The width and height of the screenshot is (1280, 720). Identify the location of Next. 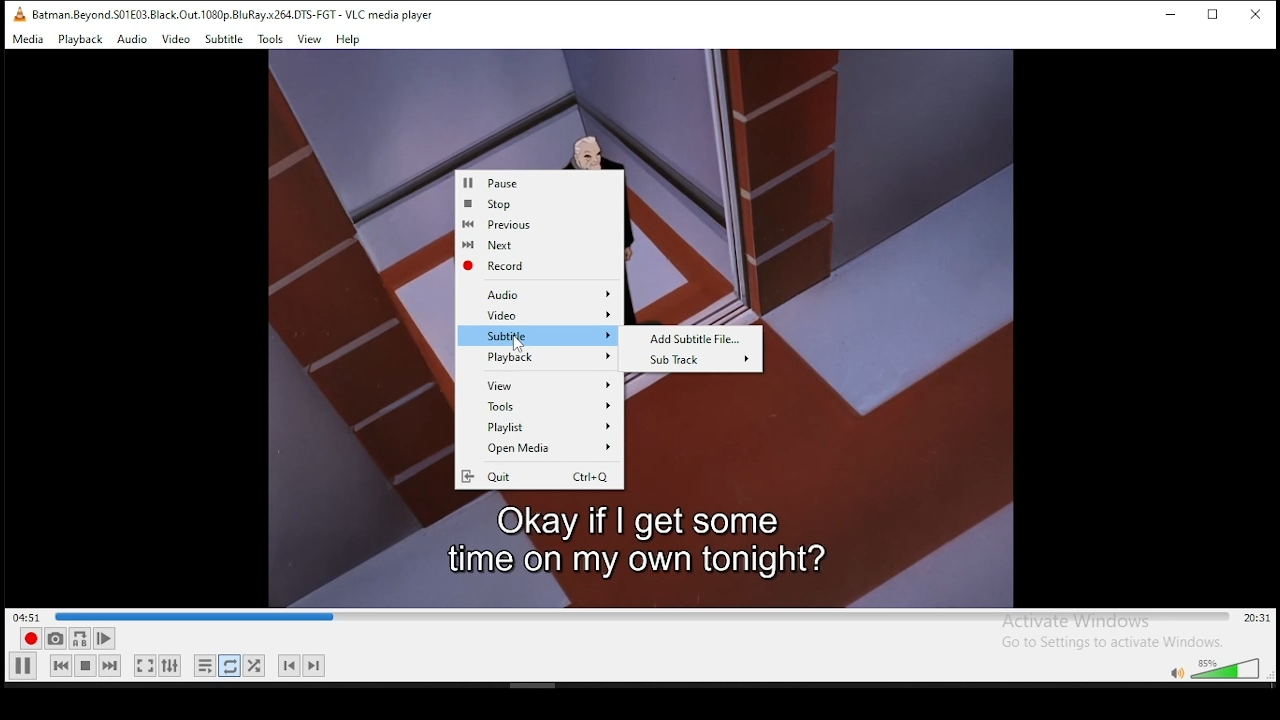
(536, 244).